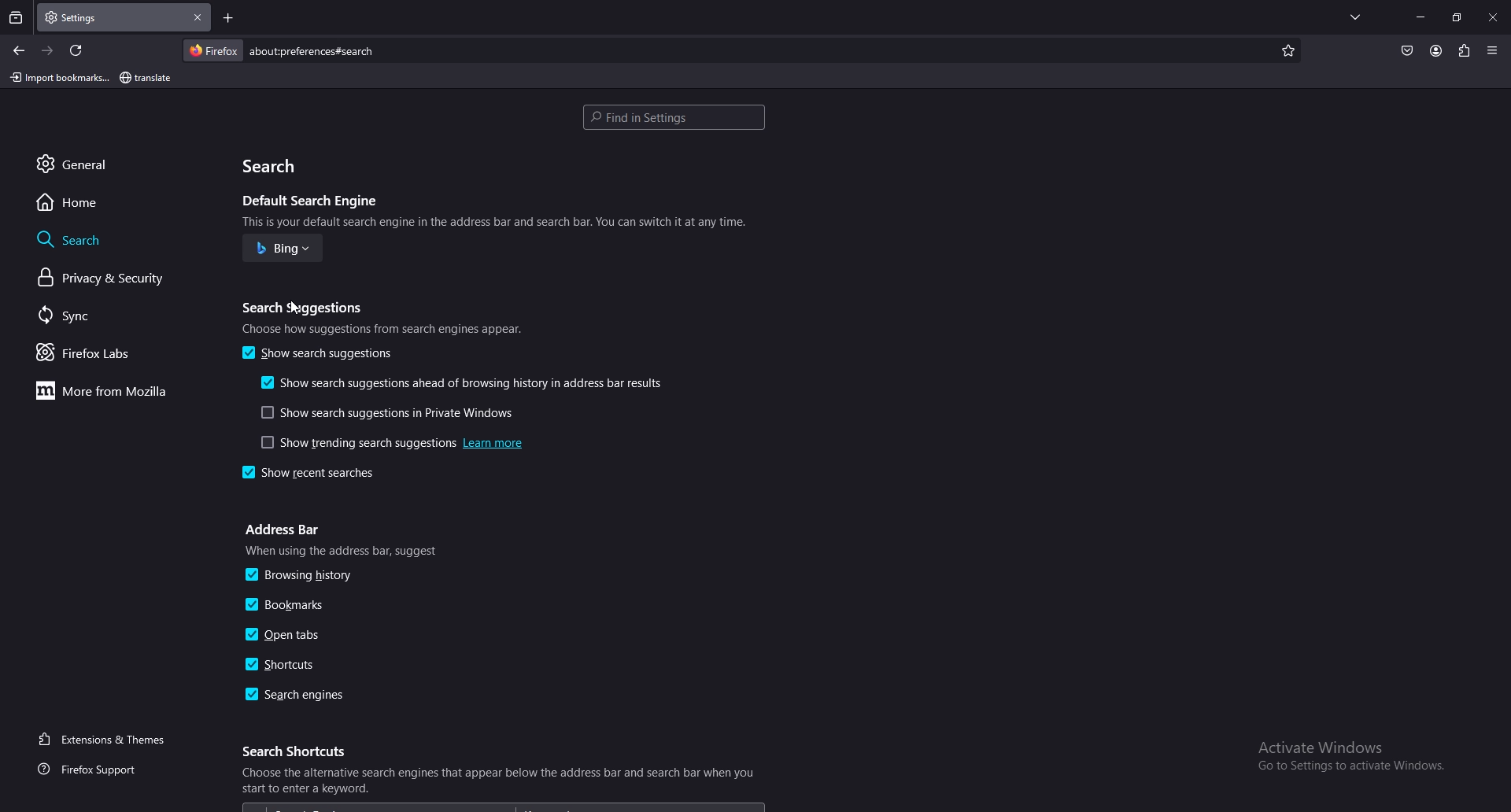  What do you see at coordinates (20, 51) in the screenshot?
I see `back` at bounding box center [20, 51].